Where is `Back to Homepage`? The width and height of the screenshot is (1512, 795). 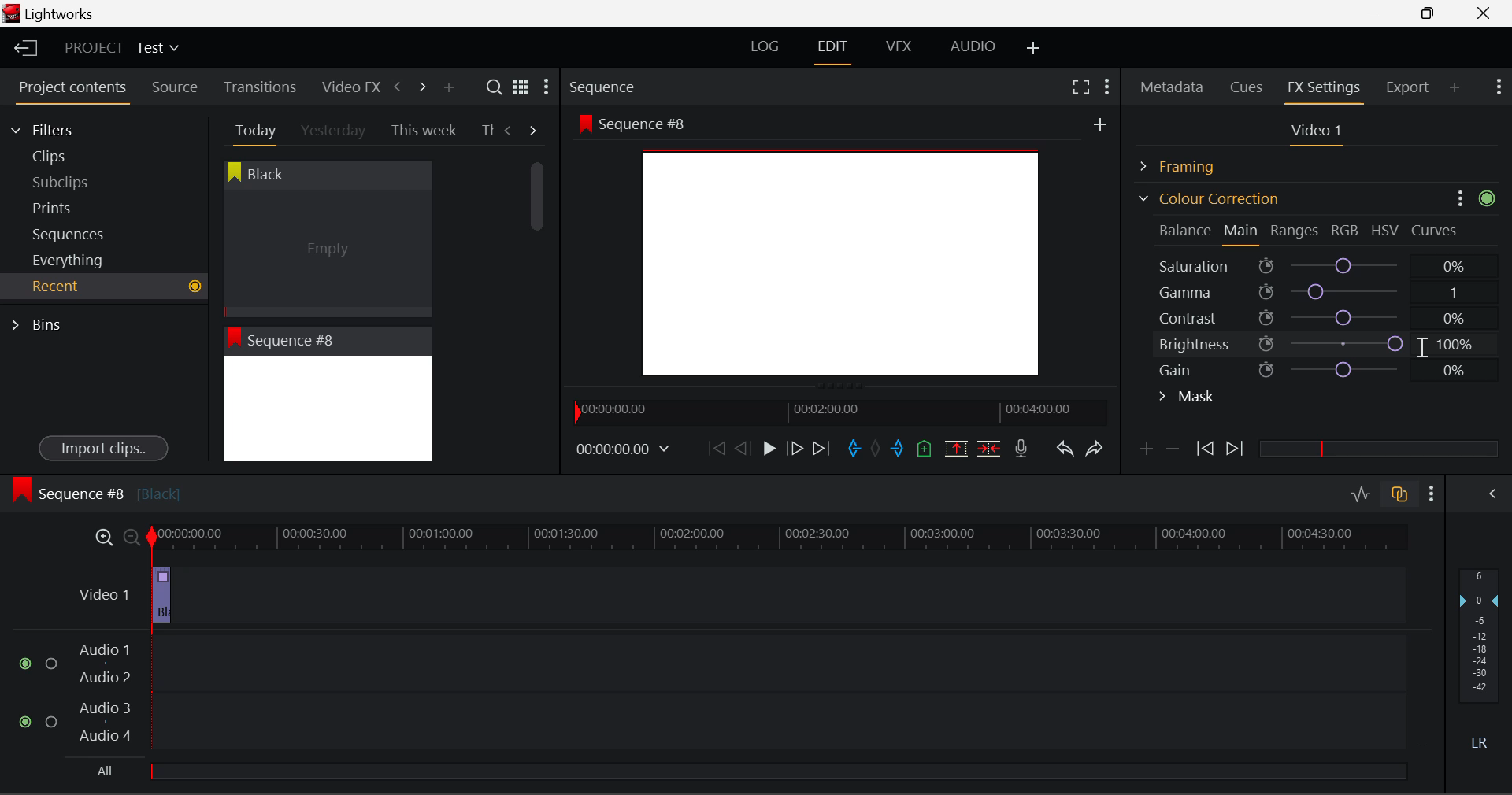 Back to Homepage is located at coordinates (20, 49).